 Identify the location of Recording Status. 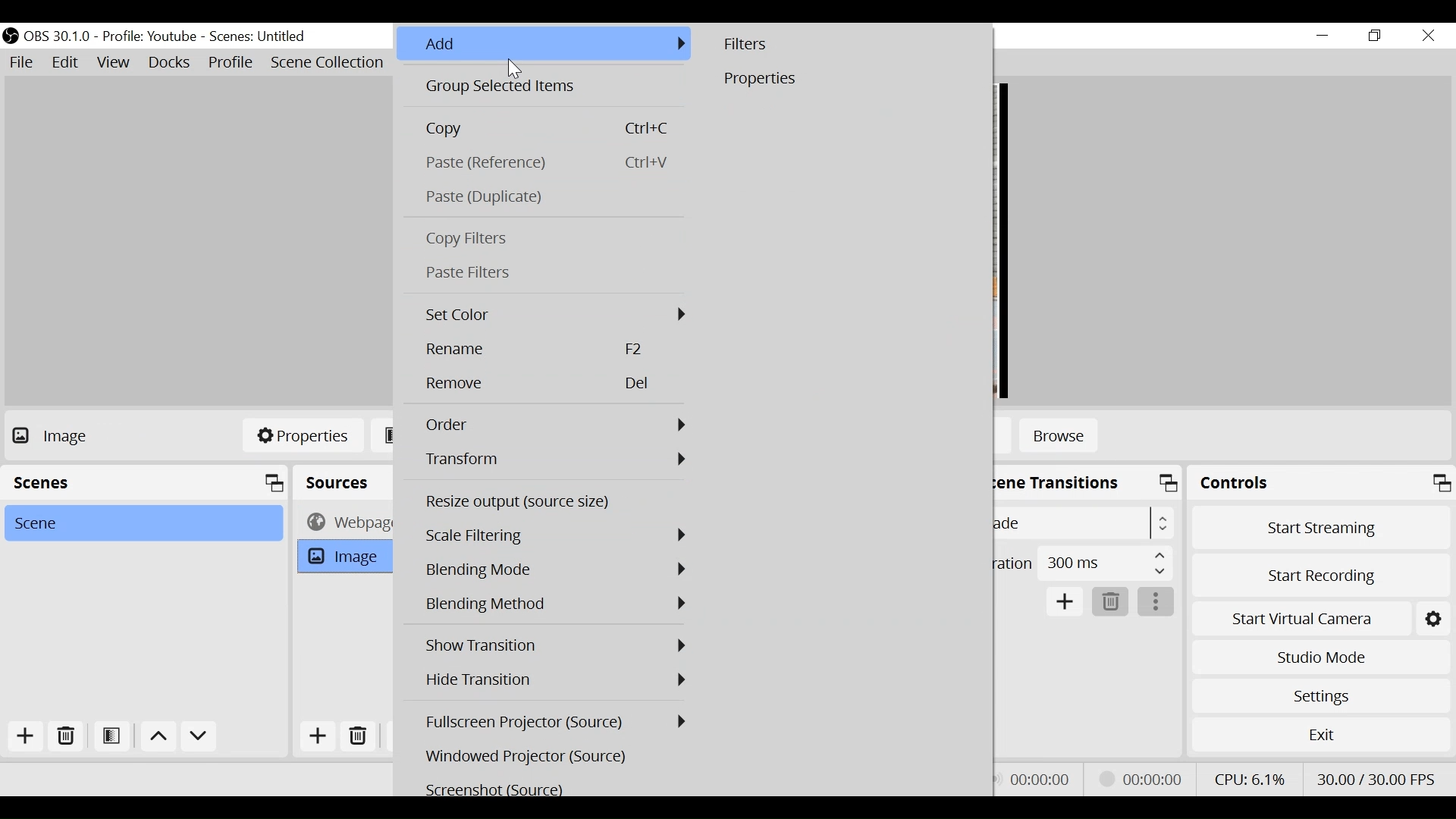
(1145, 777).